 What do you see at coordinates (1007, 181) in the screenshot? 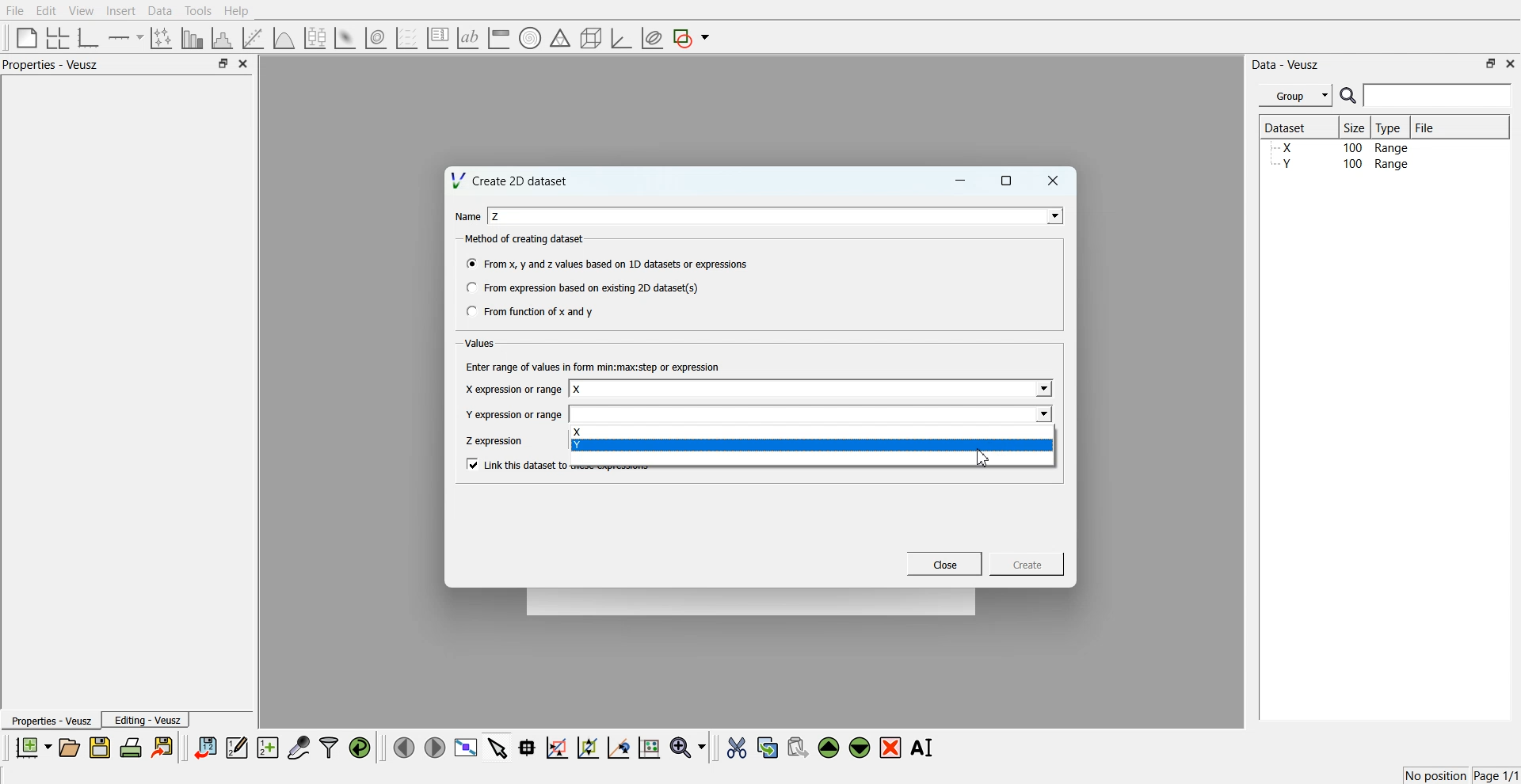
I see `Maximize` at bounding box center [1007, 181].